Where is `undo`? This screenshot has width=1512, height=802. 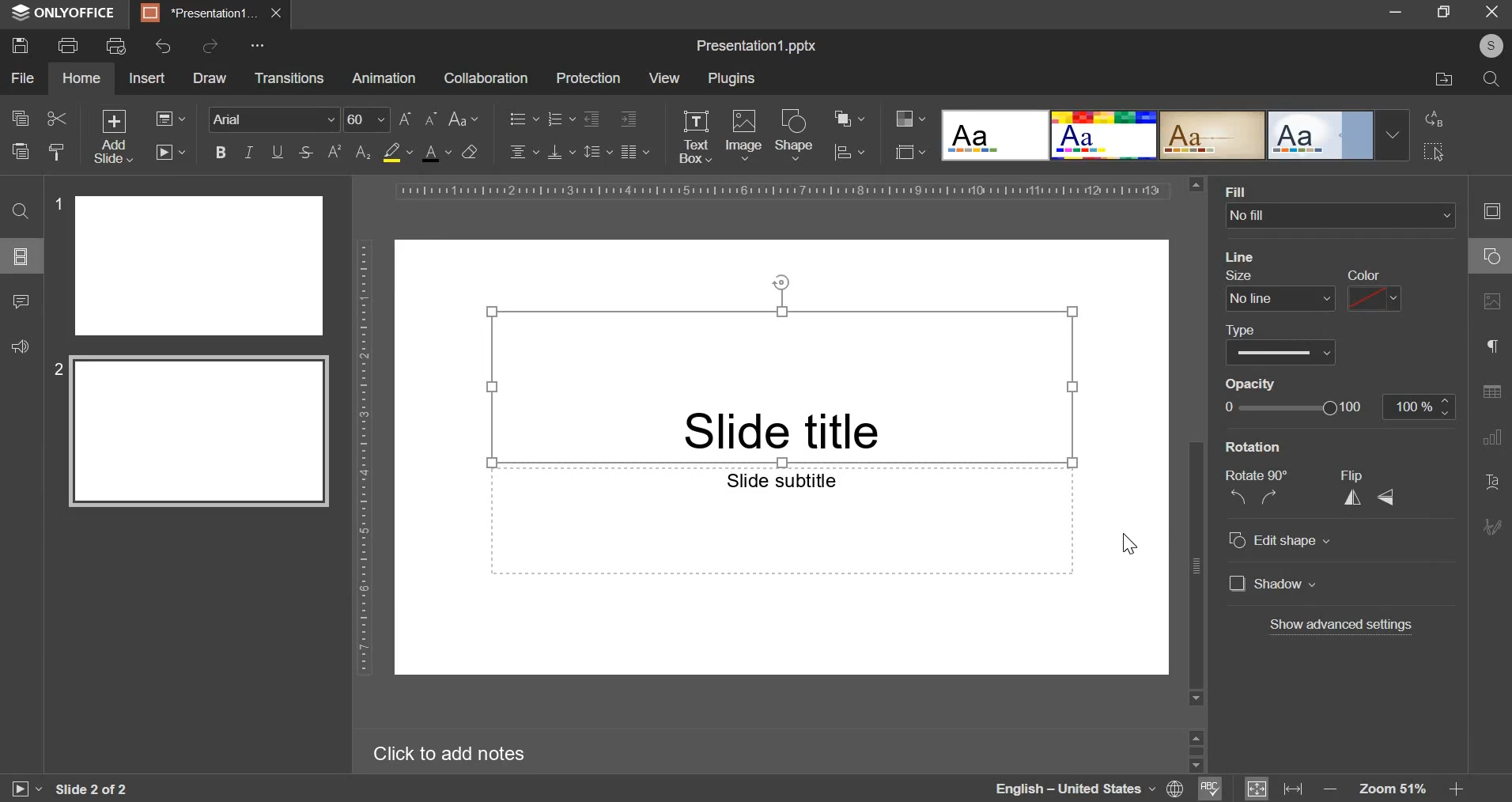 undo is located at coordinates (164, 46).